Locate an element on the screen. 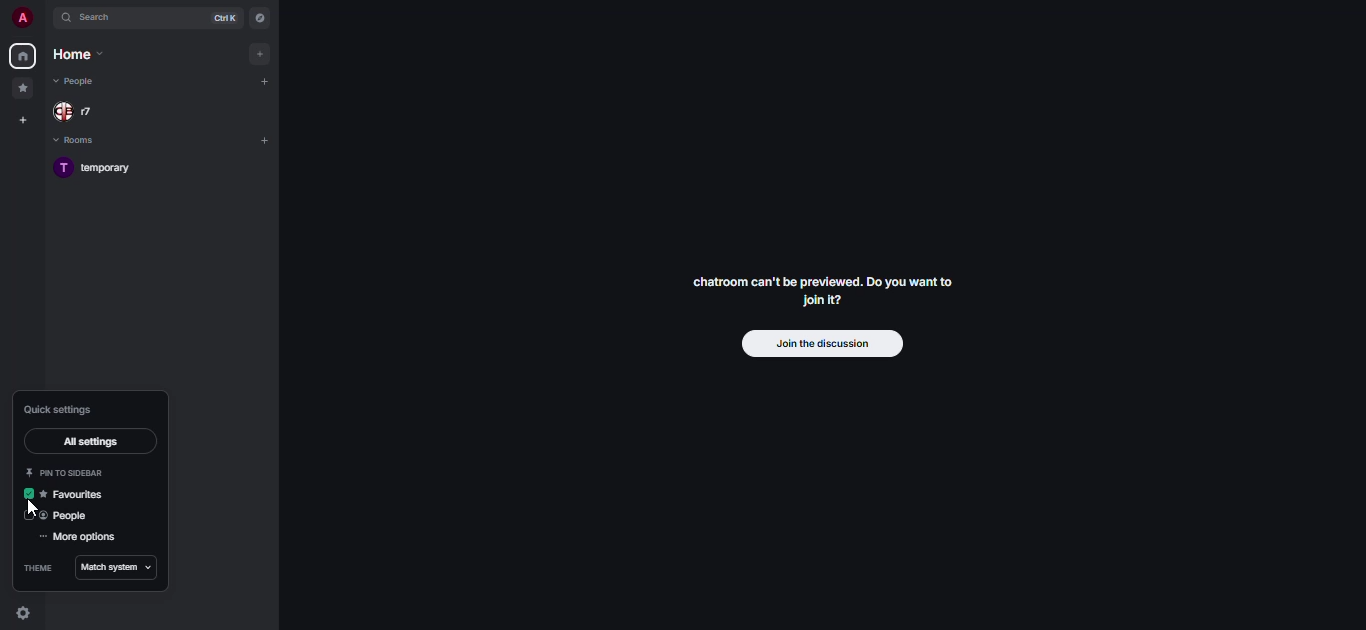 The height and width of the screenshot is (630, 1366). theme is located at coordinates (39, 569).